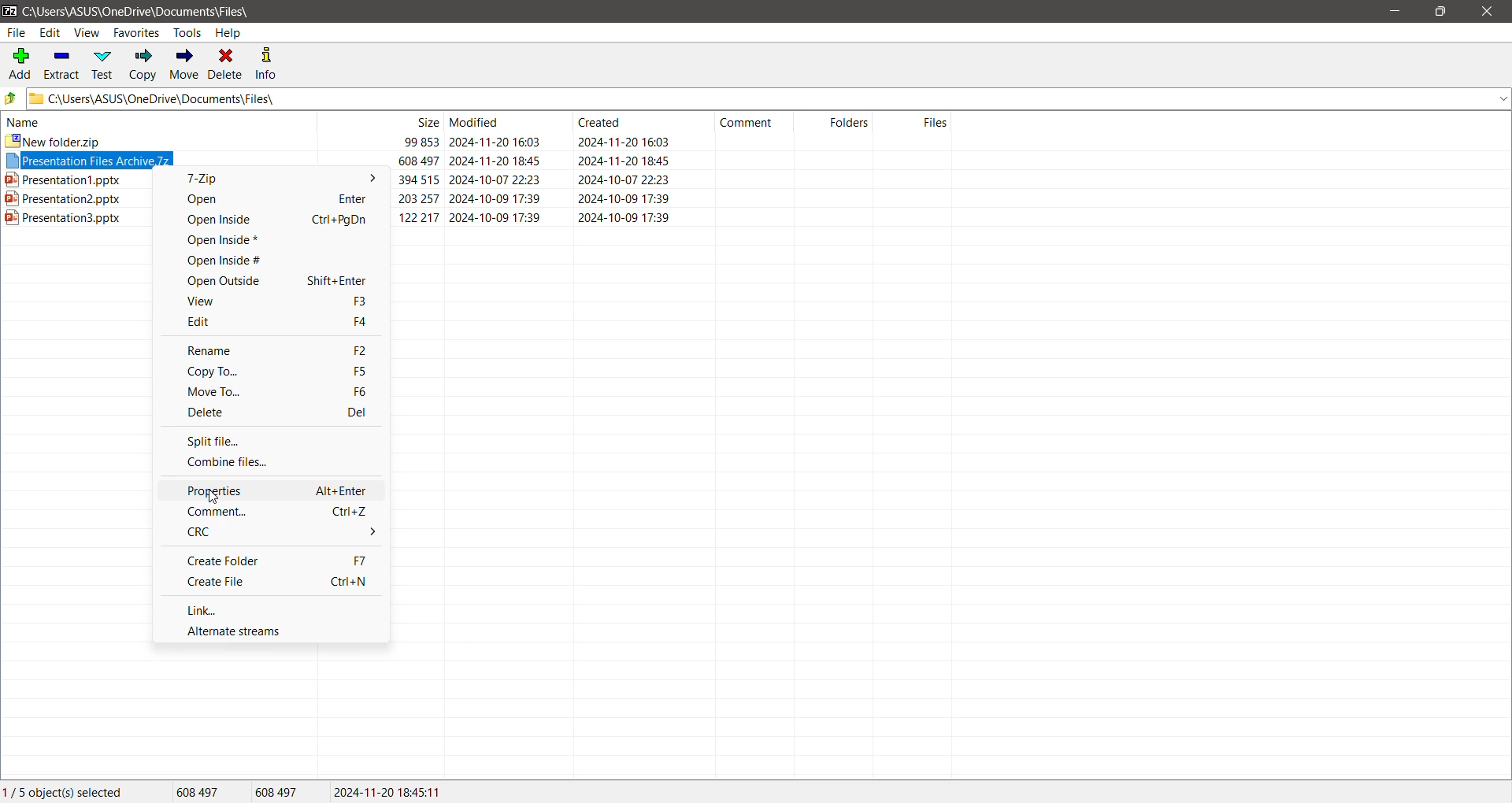 The height and width of the screenshot is (803, 1512). Describe the element at coordinates (344, 199) in the screenshot. I see `enter` at that location.